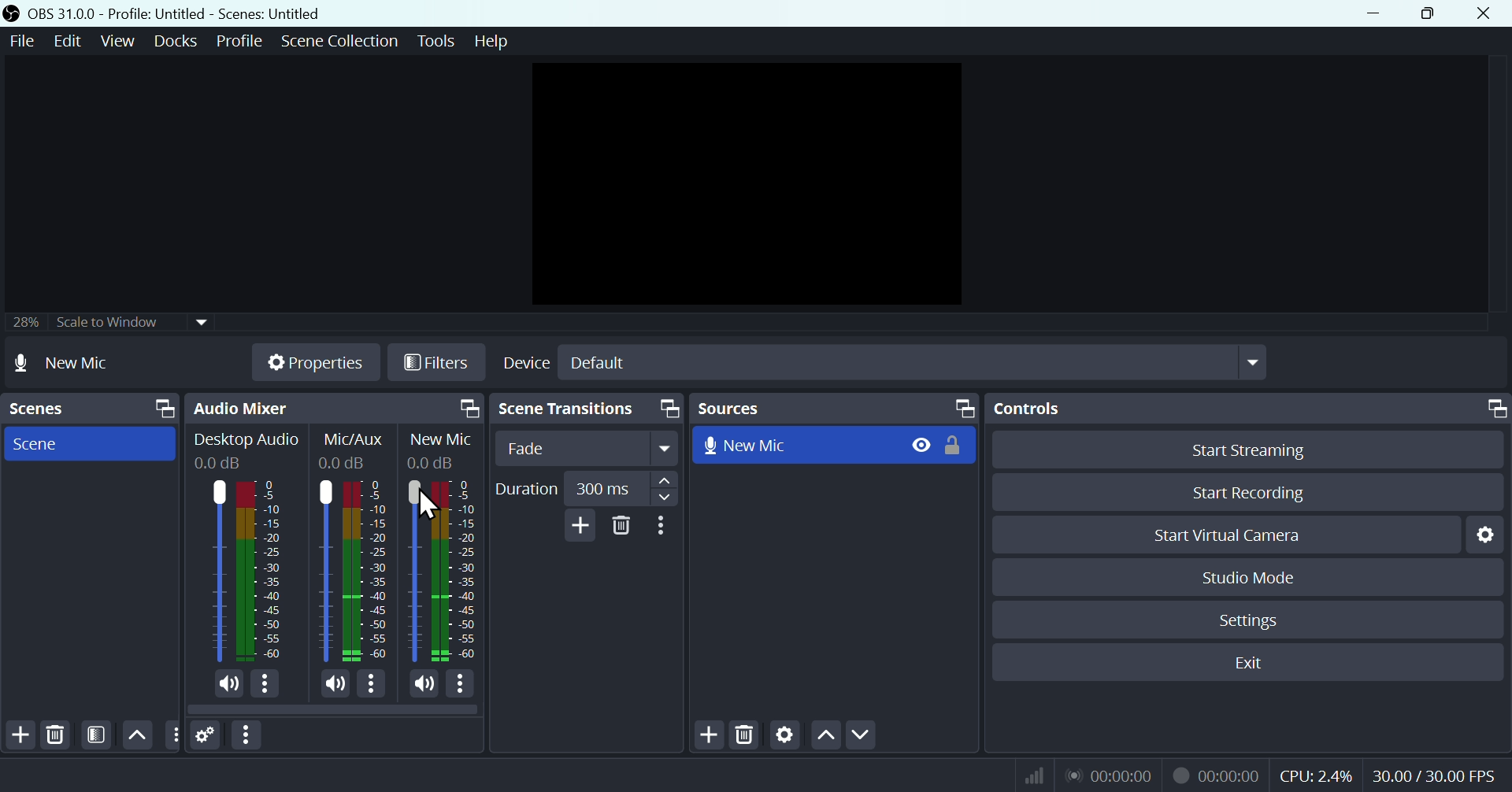 This screenshot has width=1512, height=792. What do you see at coordinates (461, 685) in the screenshot?
I see `More options` at bounding box center [461, 685].